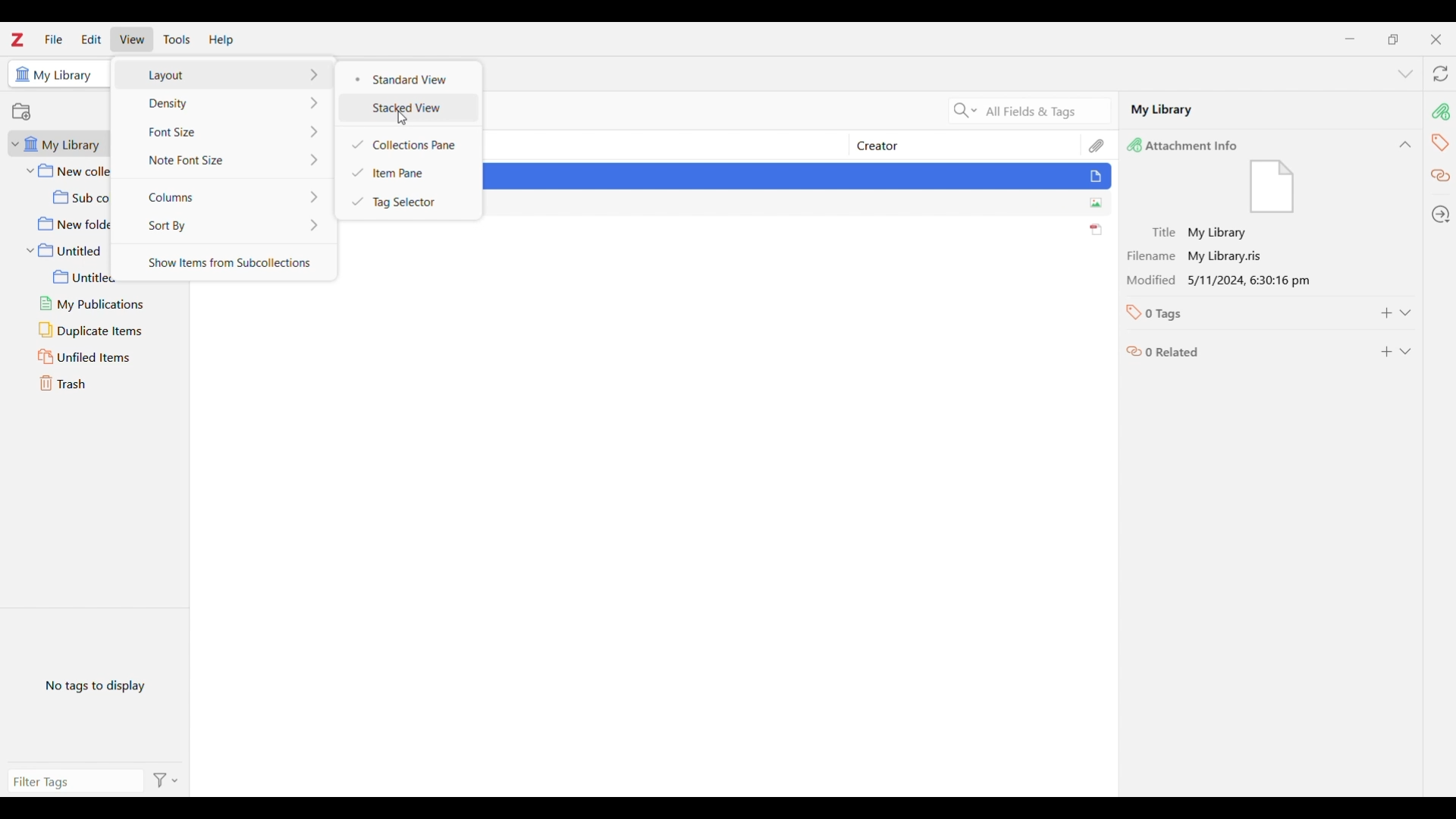 The image size is (1456, 819). I want to click on Help menu, so click(221, 41).